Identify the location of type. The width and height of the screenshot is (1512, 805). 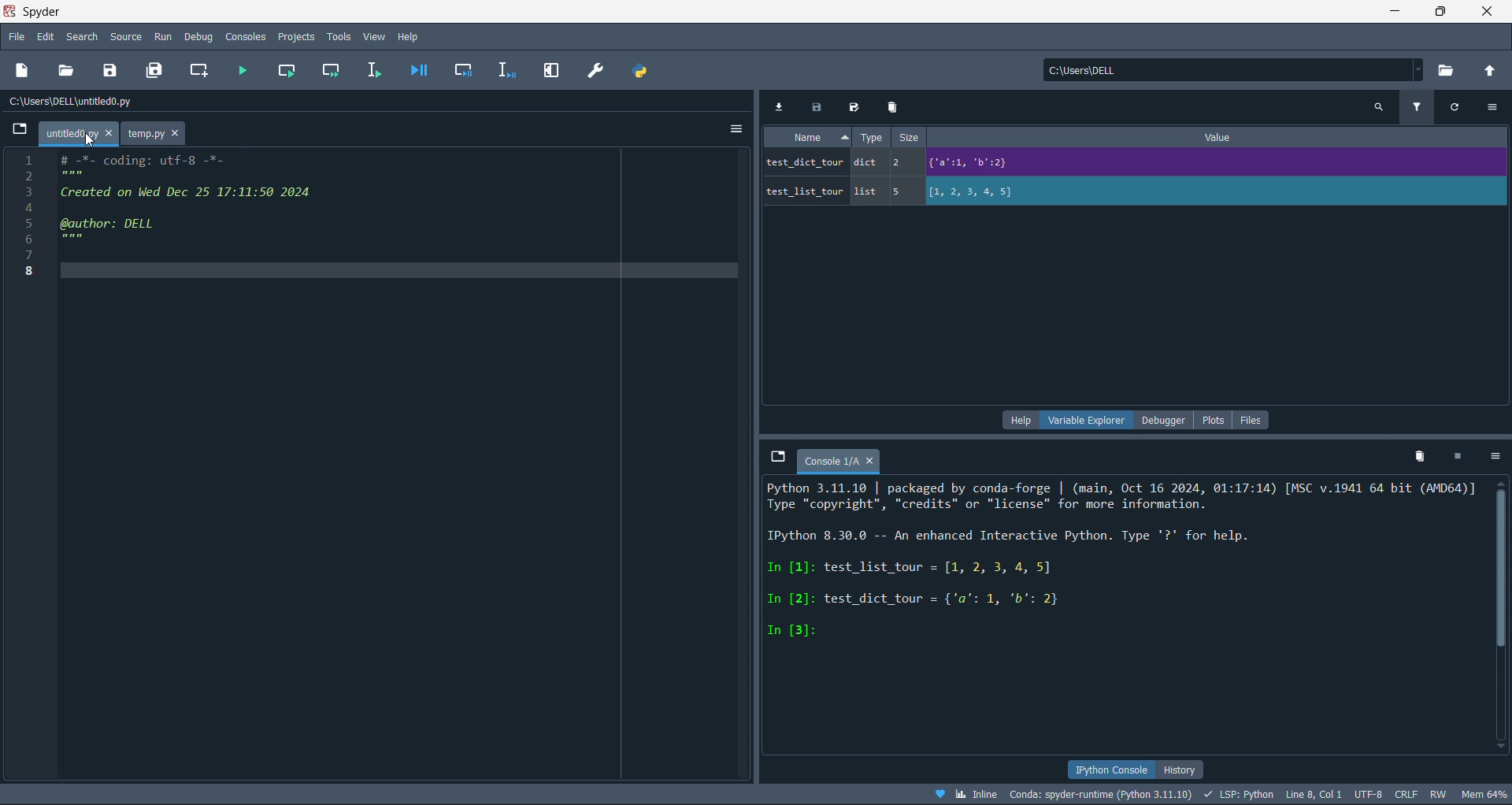
(878, 137).